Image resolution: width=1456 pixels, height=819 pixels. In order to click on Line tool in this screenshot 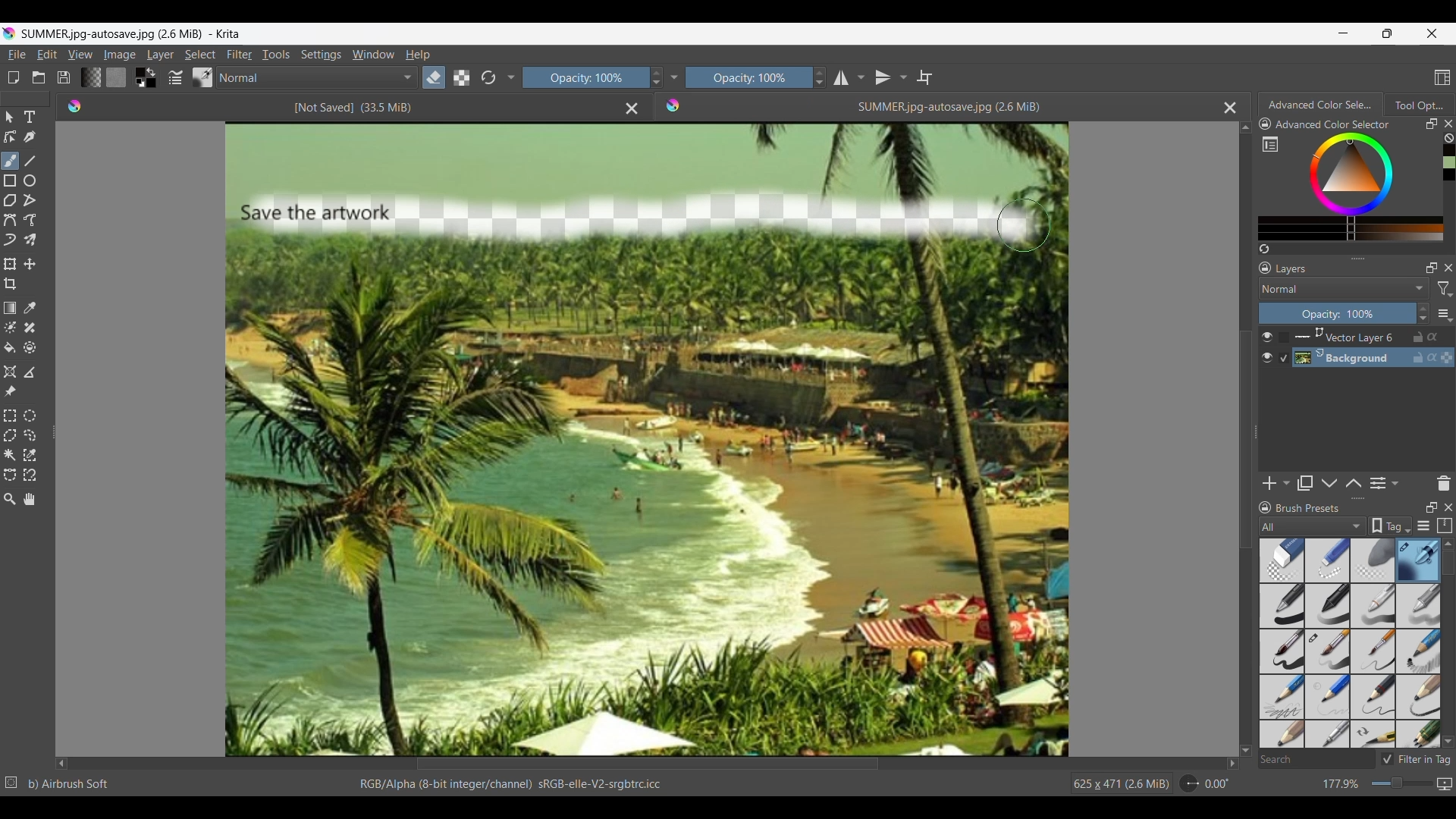, I will do `click(30, 162)`.